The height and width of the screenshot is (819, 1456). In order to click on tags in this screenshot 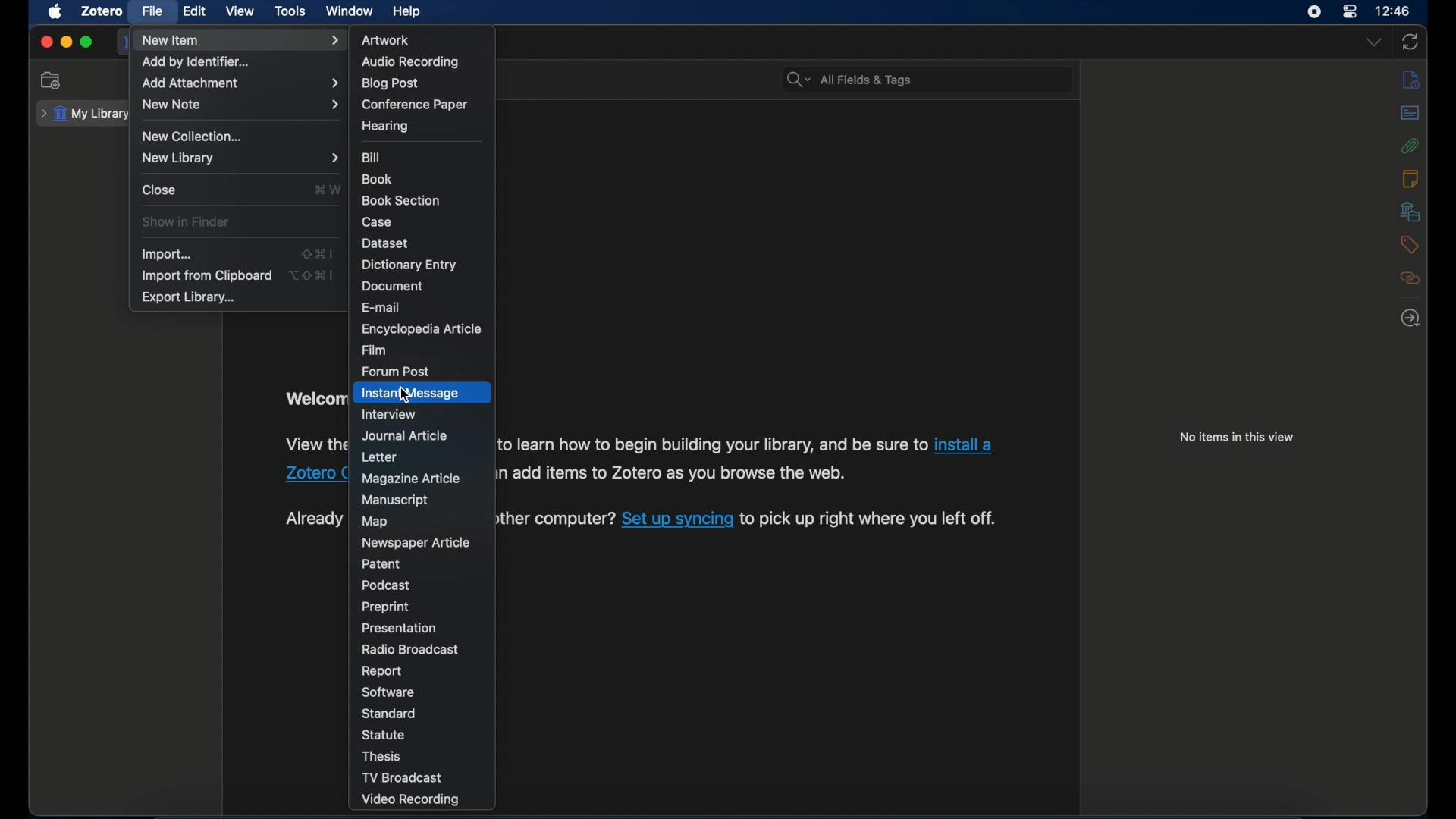, I will do `click(1410, 245)`.